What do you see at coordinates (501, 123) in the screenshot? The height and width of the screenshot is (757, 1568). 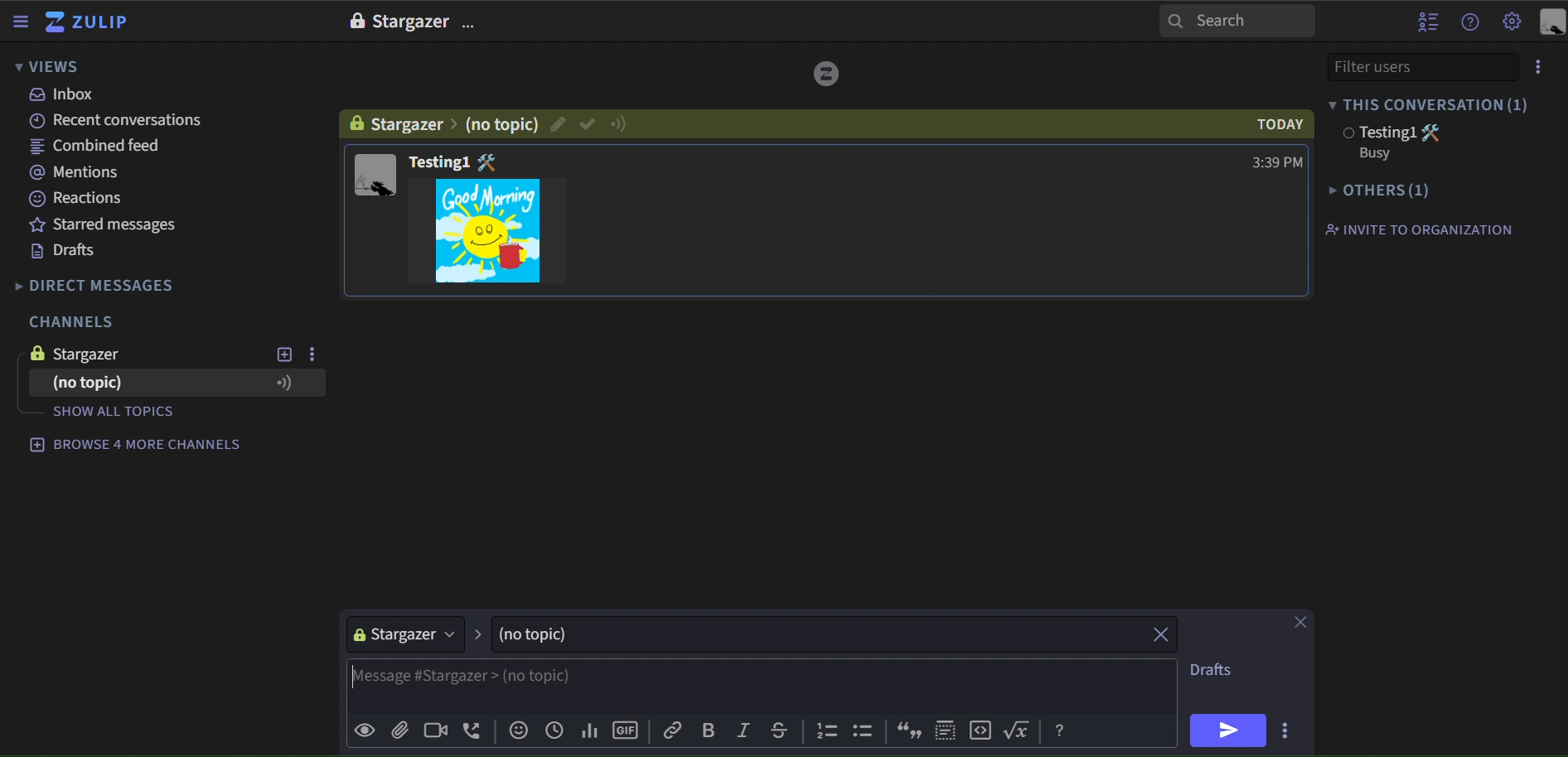 I see `no topic` at bounding box center [501, 123].